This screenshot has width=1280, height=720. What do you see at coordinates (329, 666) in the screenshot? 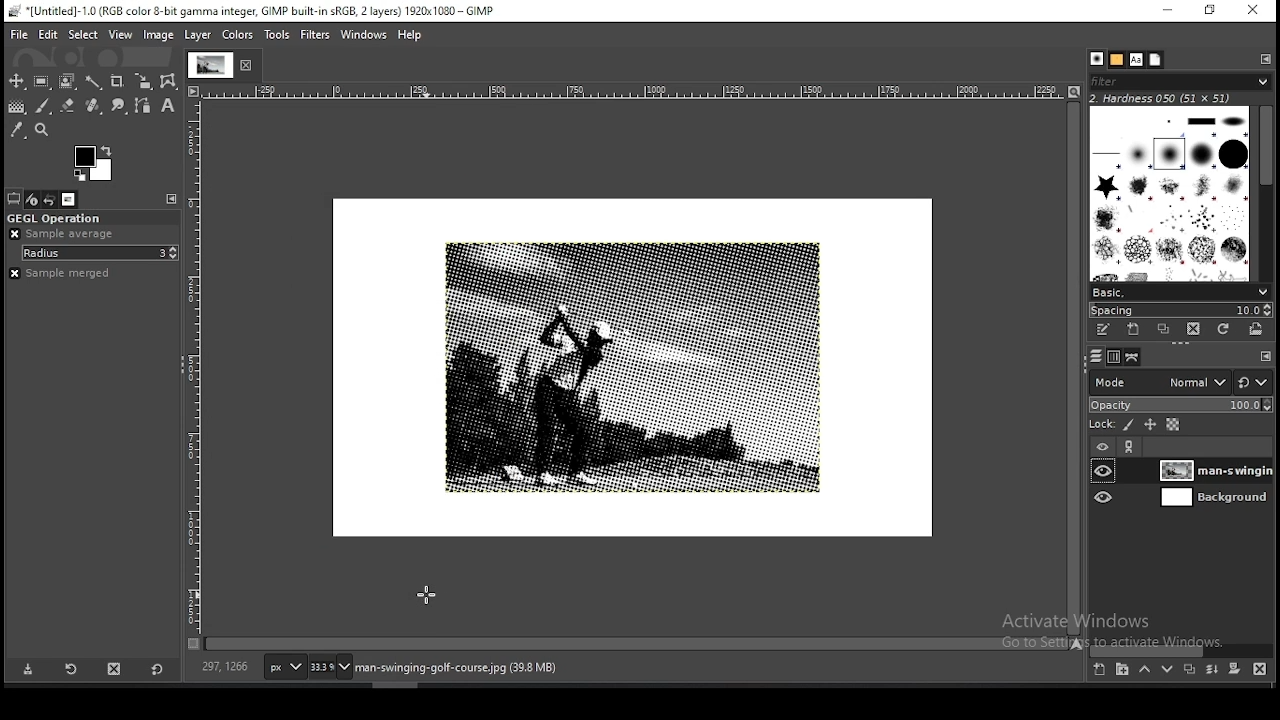
I see `zoom status` at bounding box center [329, 666].